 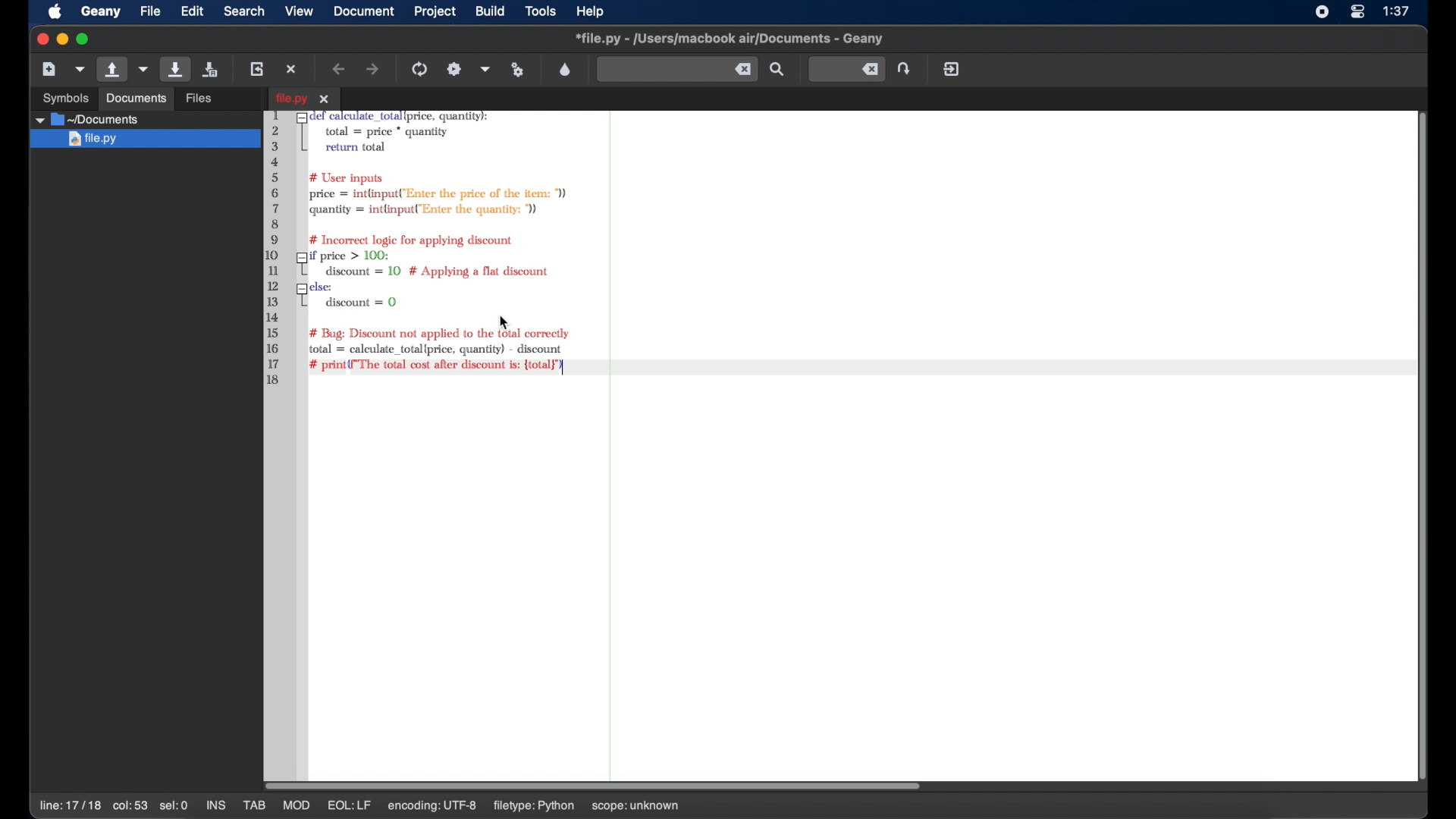 I want to click on jump to the entered line number, so click(x=846, y=68).